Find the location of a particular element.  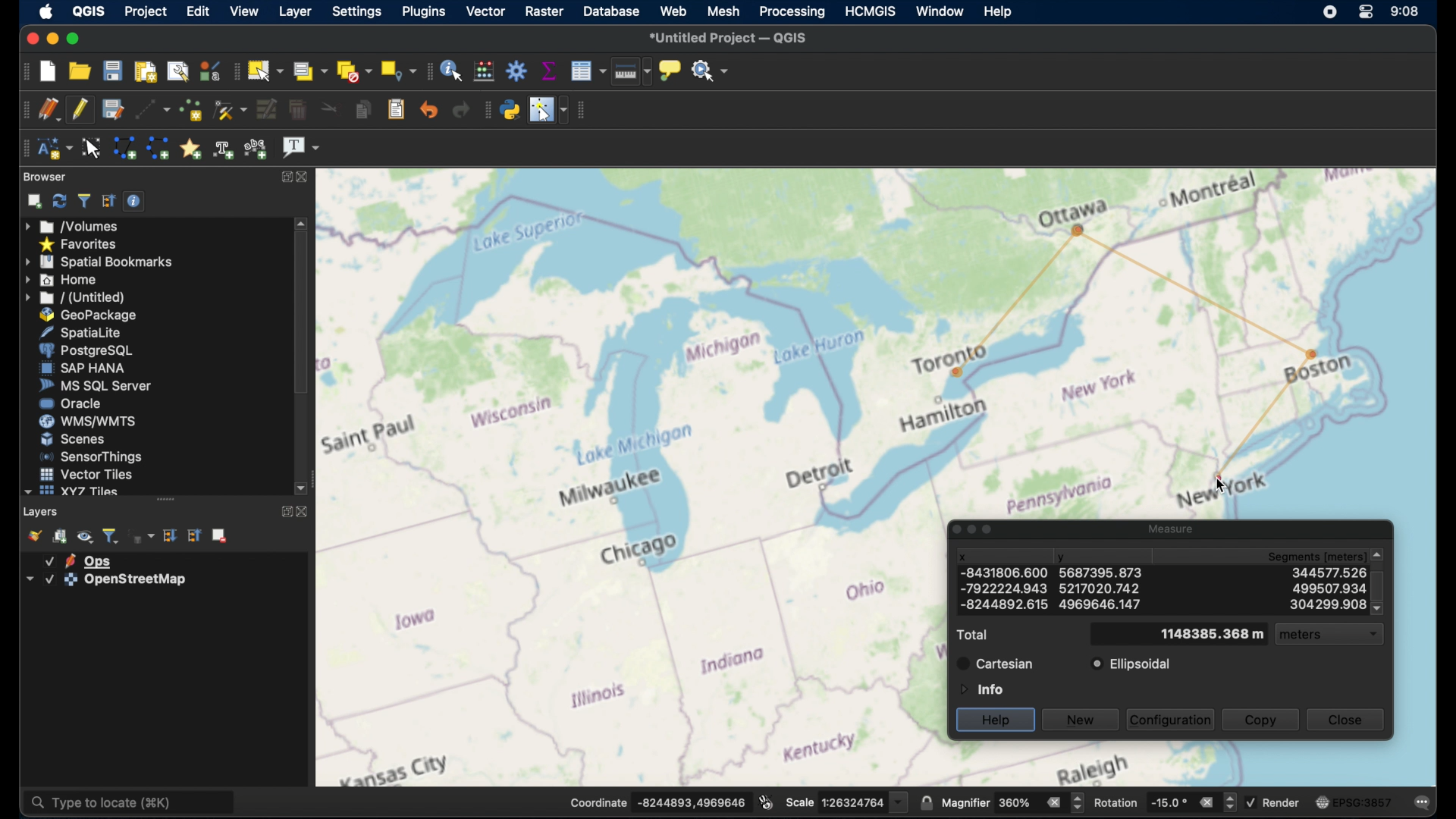

style manager is located at coordinates (210, 69).